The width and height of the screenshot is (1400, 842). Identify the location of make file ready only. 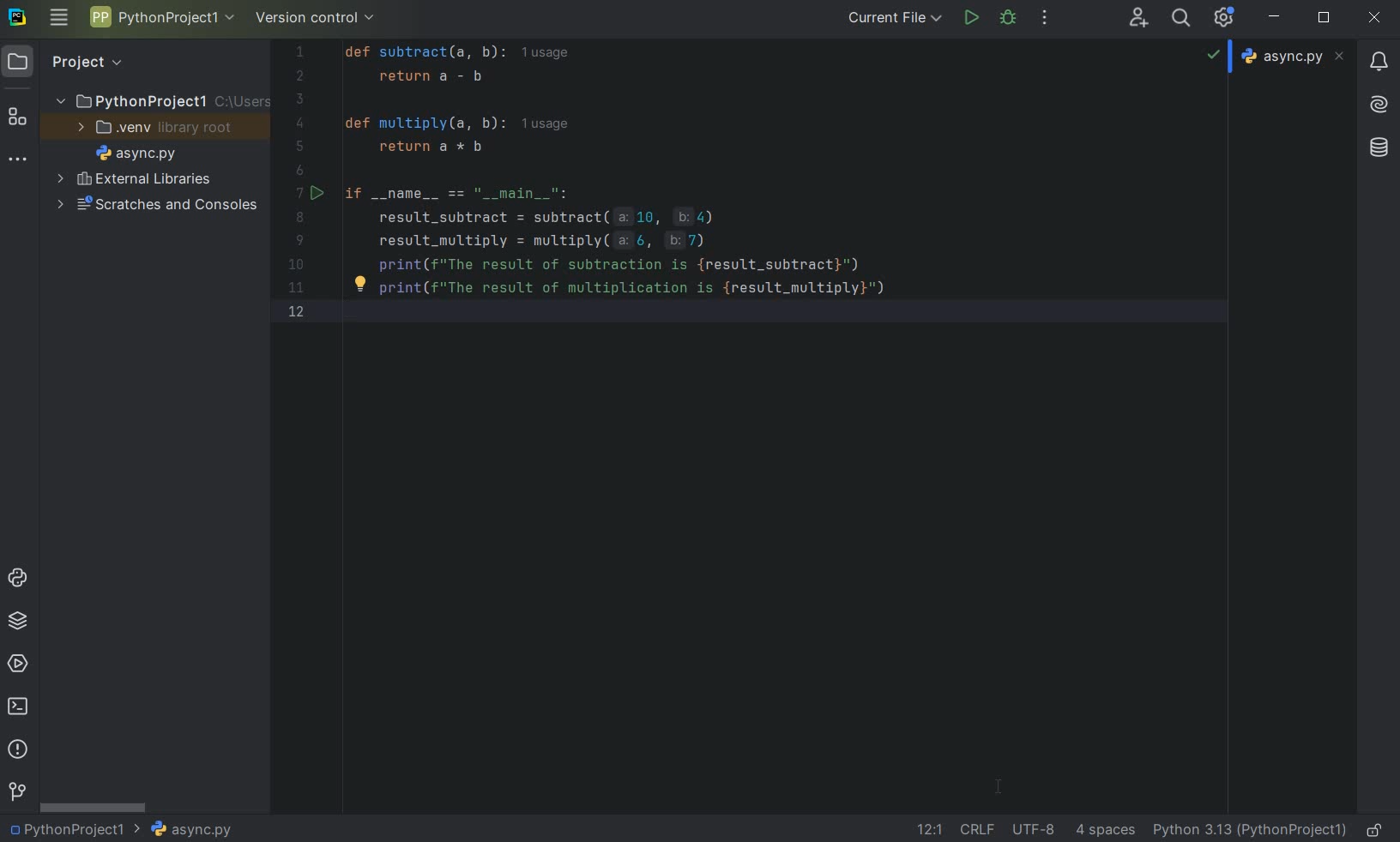
(1376, 827).